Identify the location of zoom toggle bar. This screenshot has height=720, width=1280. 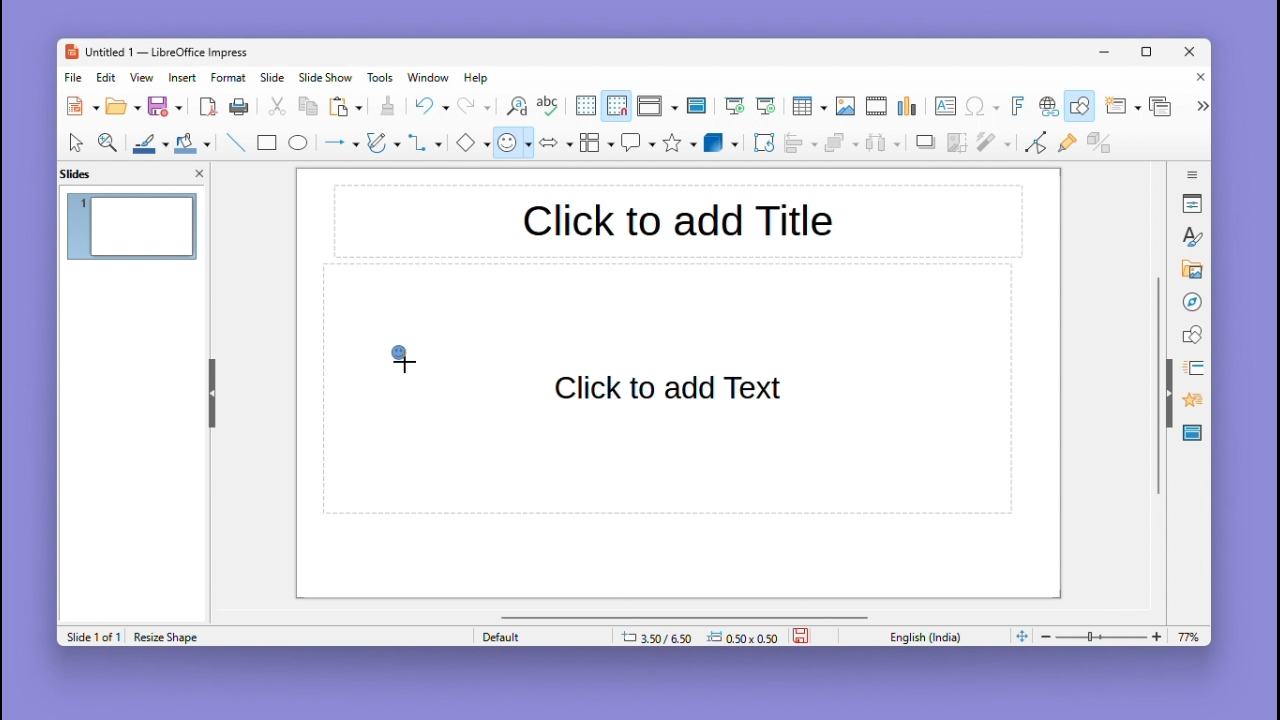
(1106, 636).